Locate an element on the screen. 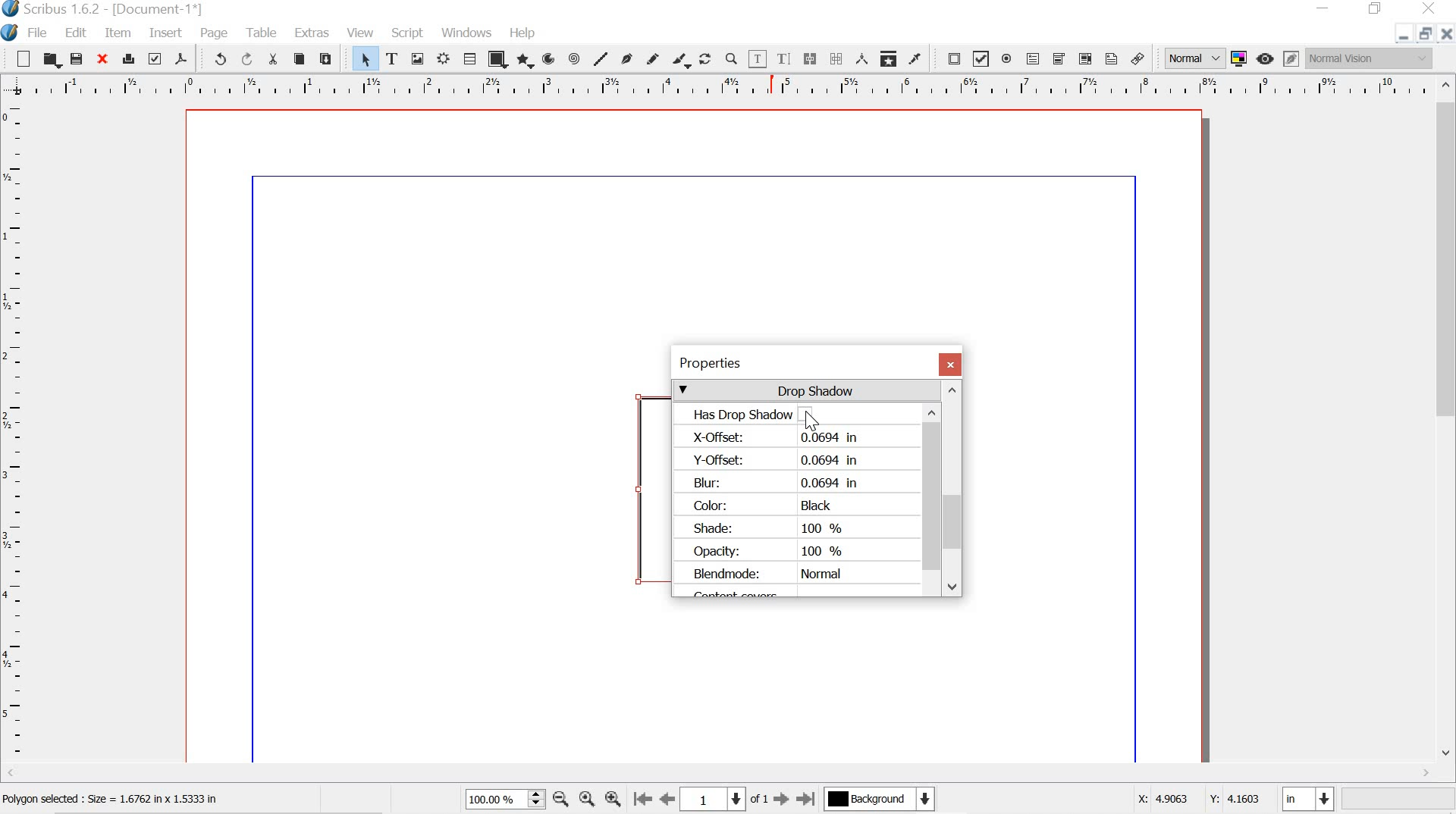  save is located at coordinates (77, 58).